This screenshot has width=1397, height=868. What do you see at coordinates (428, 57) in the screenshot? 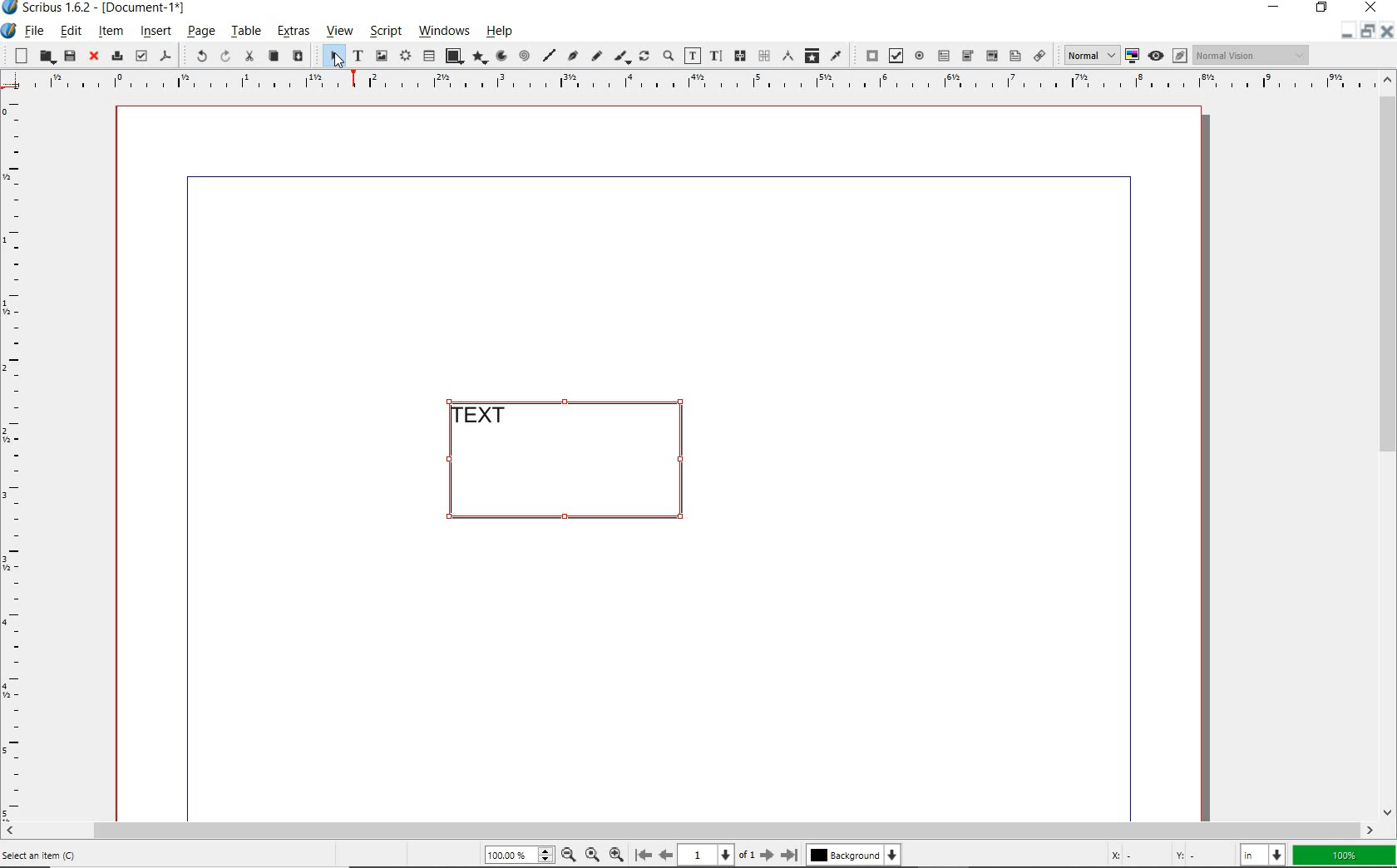
I see `table` at bounding box center [428, 57].